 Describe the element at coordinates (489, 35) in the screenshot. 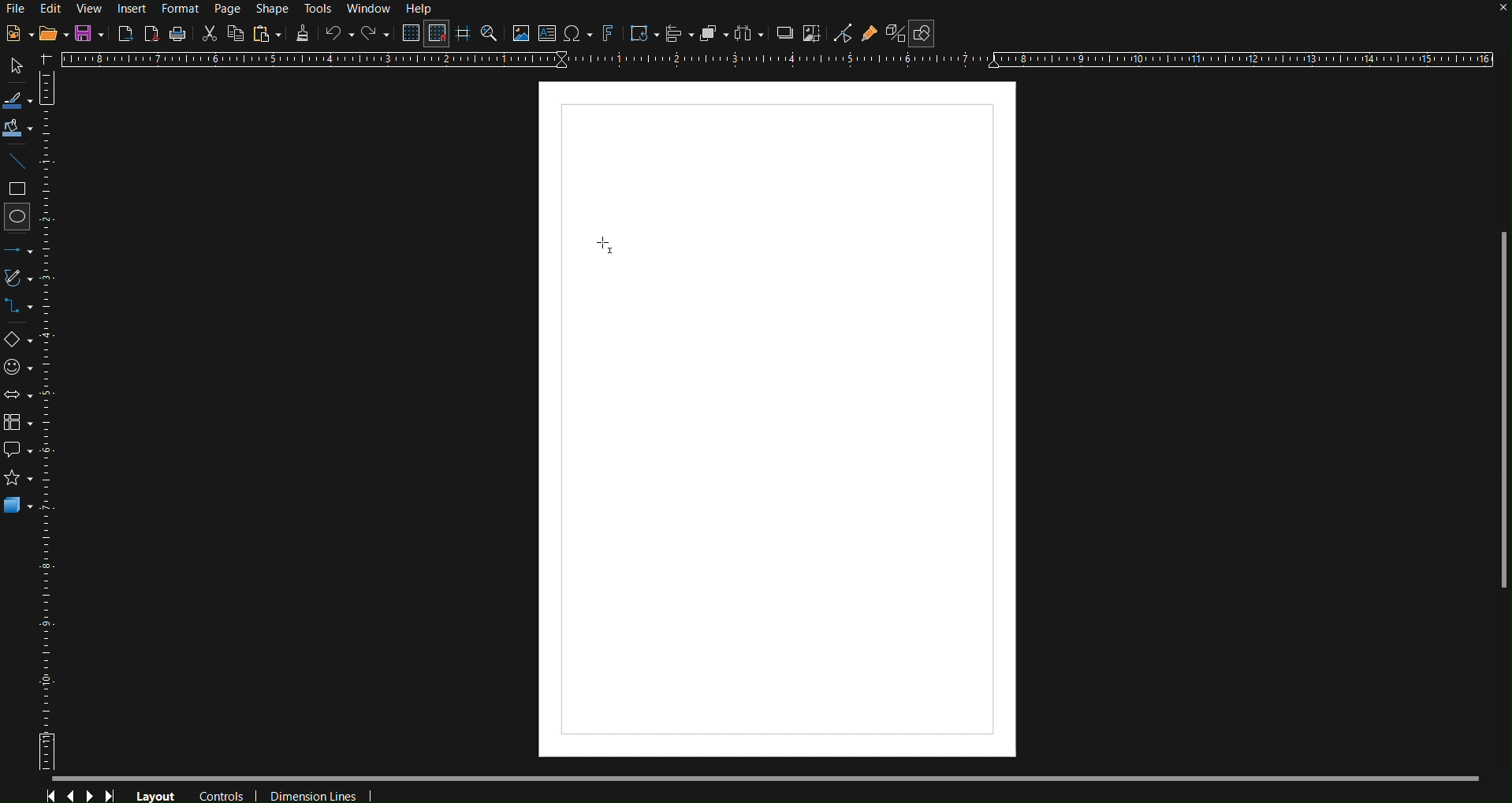

I see `Zoom and Pan` at that location.